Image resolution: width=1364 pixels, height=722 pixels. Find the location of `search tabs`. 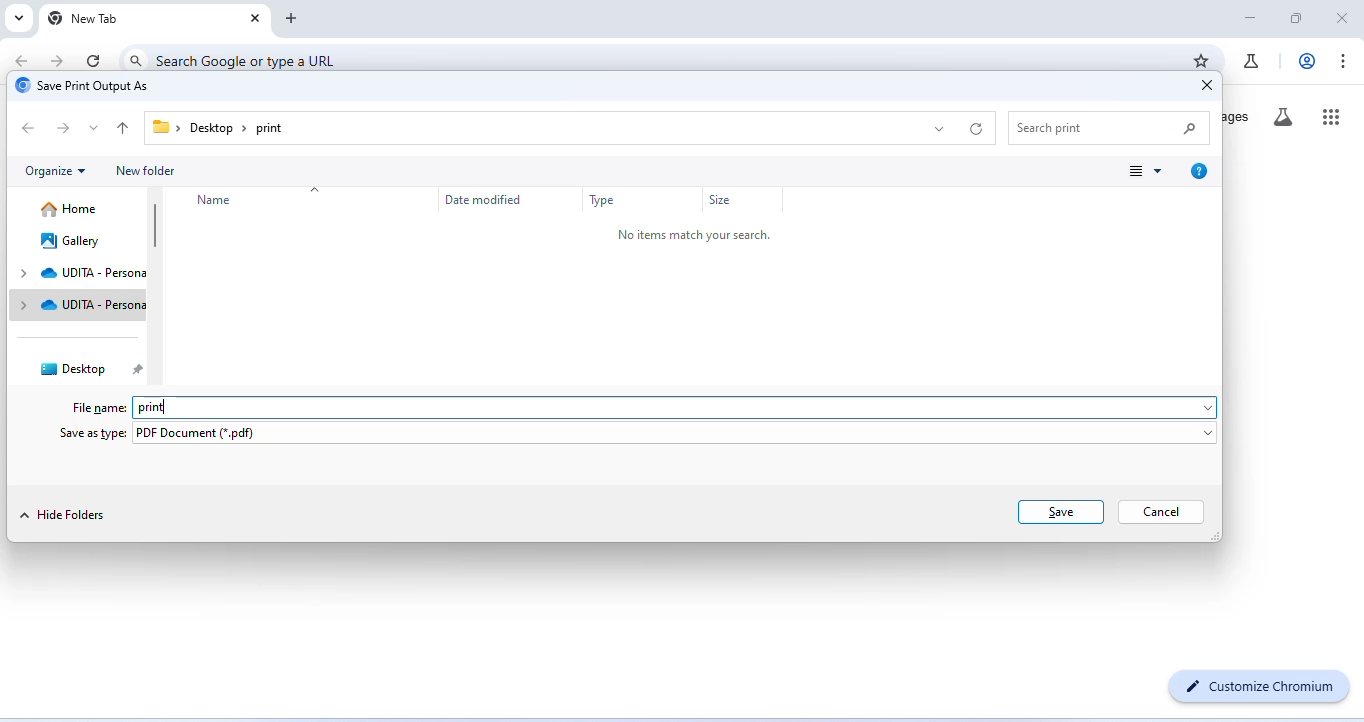

search tabs is located at coordinates (17, 18).